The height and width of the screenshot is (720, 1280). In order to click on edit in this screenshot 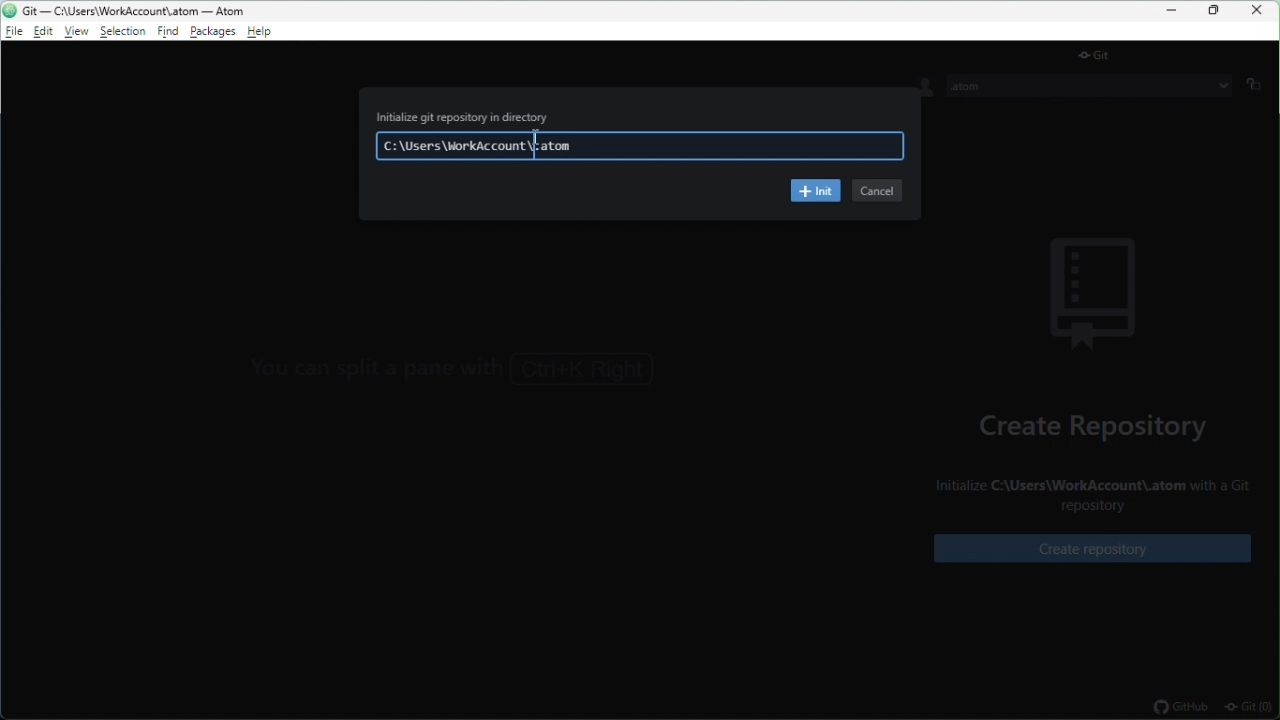, I will do `click(46, 32)`.